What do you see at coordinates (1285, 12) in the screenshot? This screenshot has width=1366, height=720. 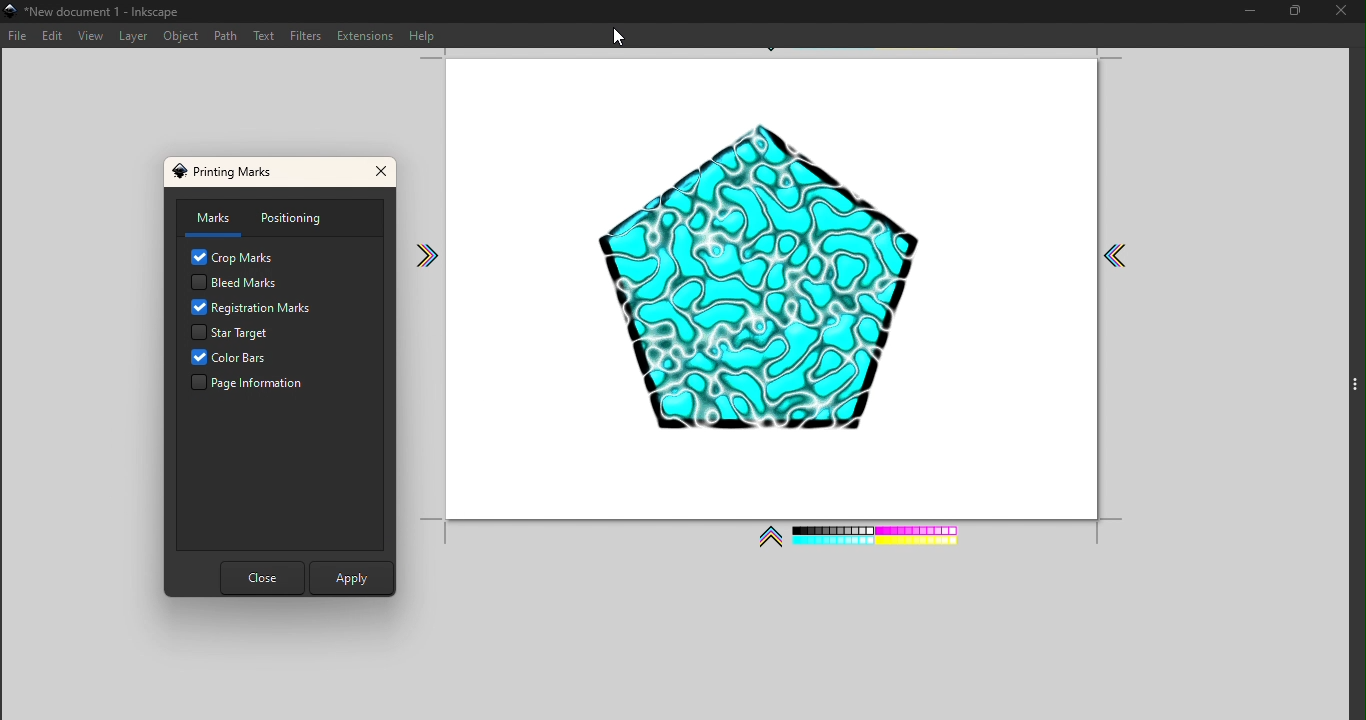 I see `Maximize` at bounding box center [1285, 12].